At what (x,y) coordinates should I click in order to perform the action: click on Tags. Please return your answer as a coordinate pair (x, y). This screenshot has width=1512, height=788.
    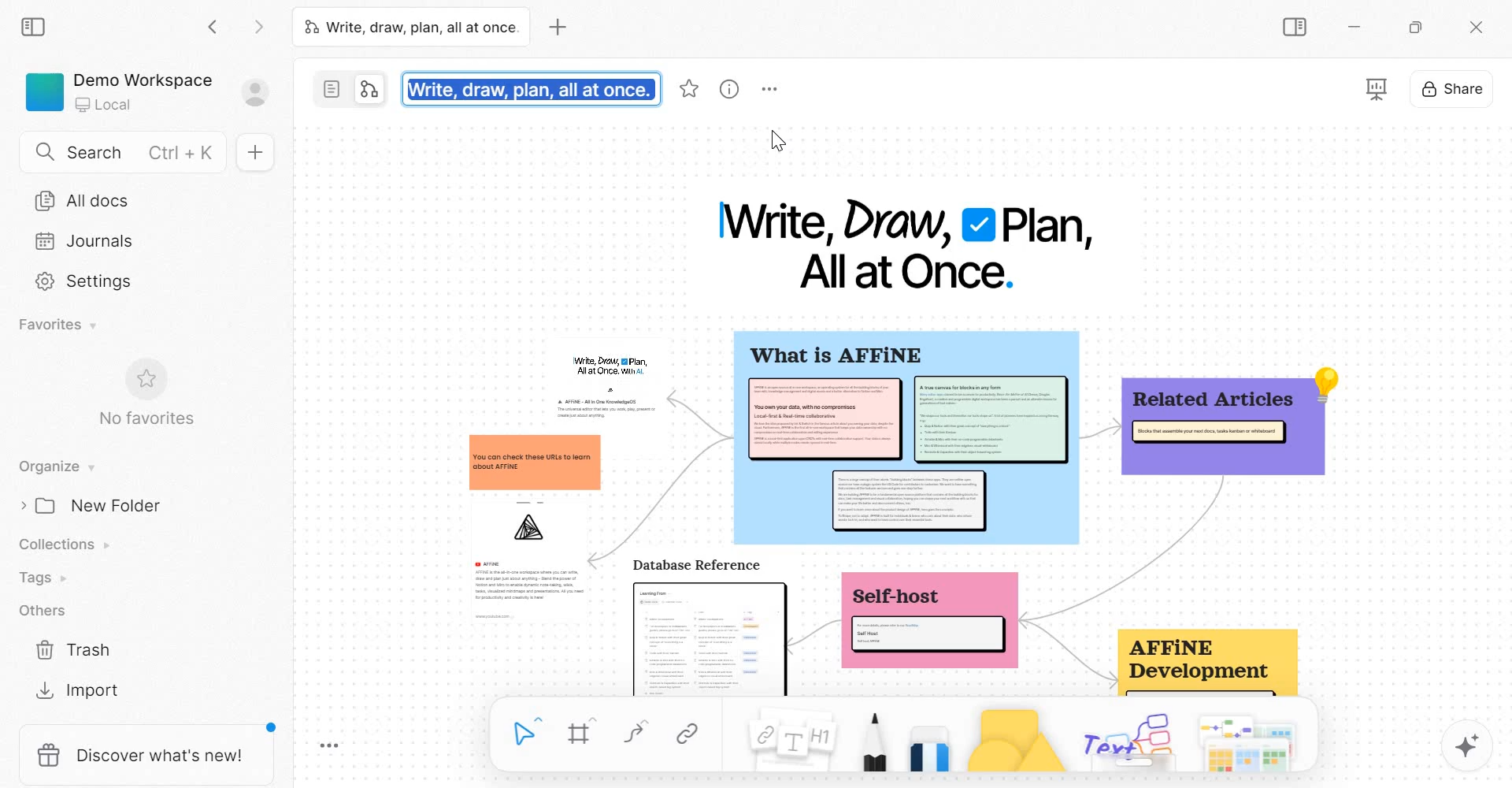
    Looking at the image, I should click on (43, 576).